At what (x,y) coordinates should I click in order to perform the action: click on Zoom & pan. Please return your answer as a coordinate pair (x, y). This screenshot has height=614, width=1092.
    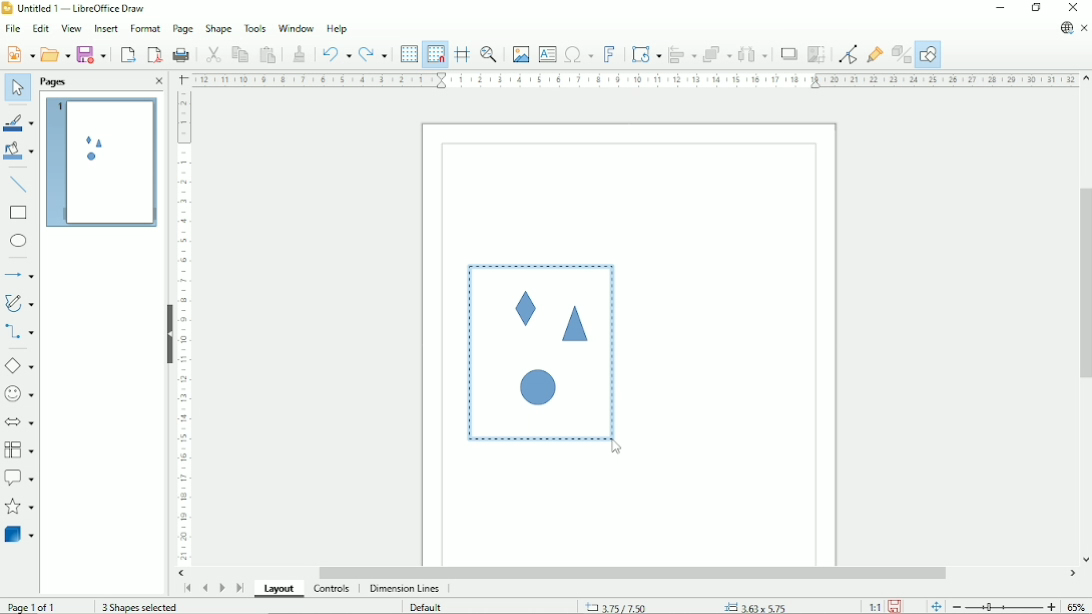
    Looking at the image, I should click on (488, 54).